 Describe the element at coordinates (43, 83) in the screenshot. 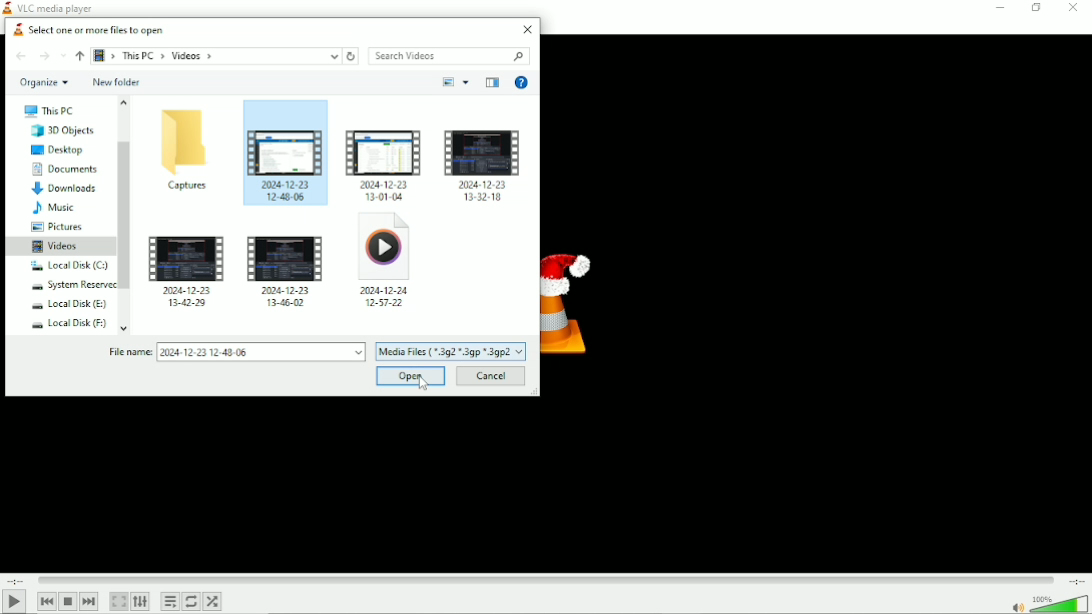

I see `Organize` at that location.